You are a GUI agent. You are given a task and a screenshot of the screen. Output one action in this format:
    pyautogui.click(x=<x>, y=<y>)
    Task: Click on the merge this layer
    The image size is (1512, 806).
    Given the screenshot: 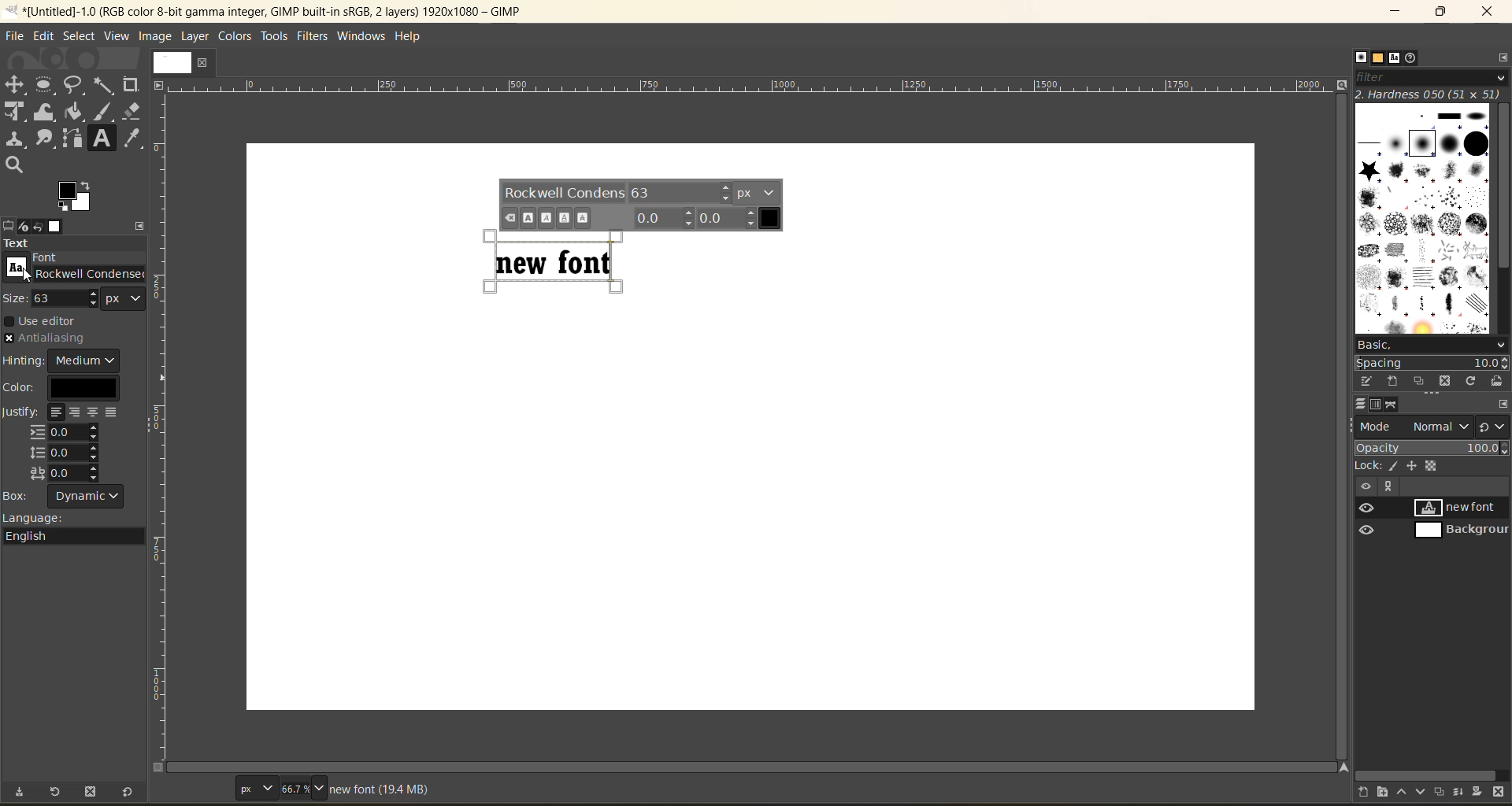 What is the action you would take?
    pyautogui.click(x=1464, y=793)
    